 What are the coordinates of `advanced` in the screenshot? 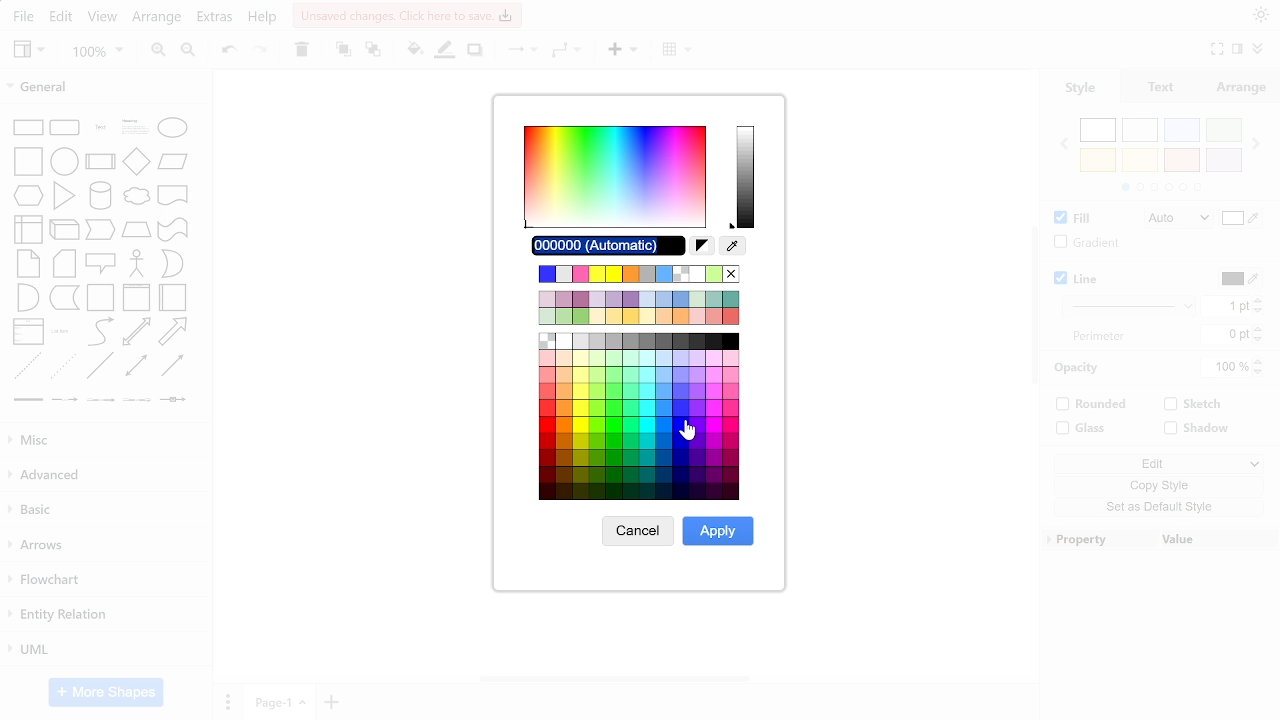 It's located at (103, 476).